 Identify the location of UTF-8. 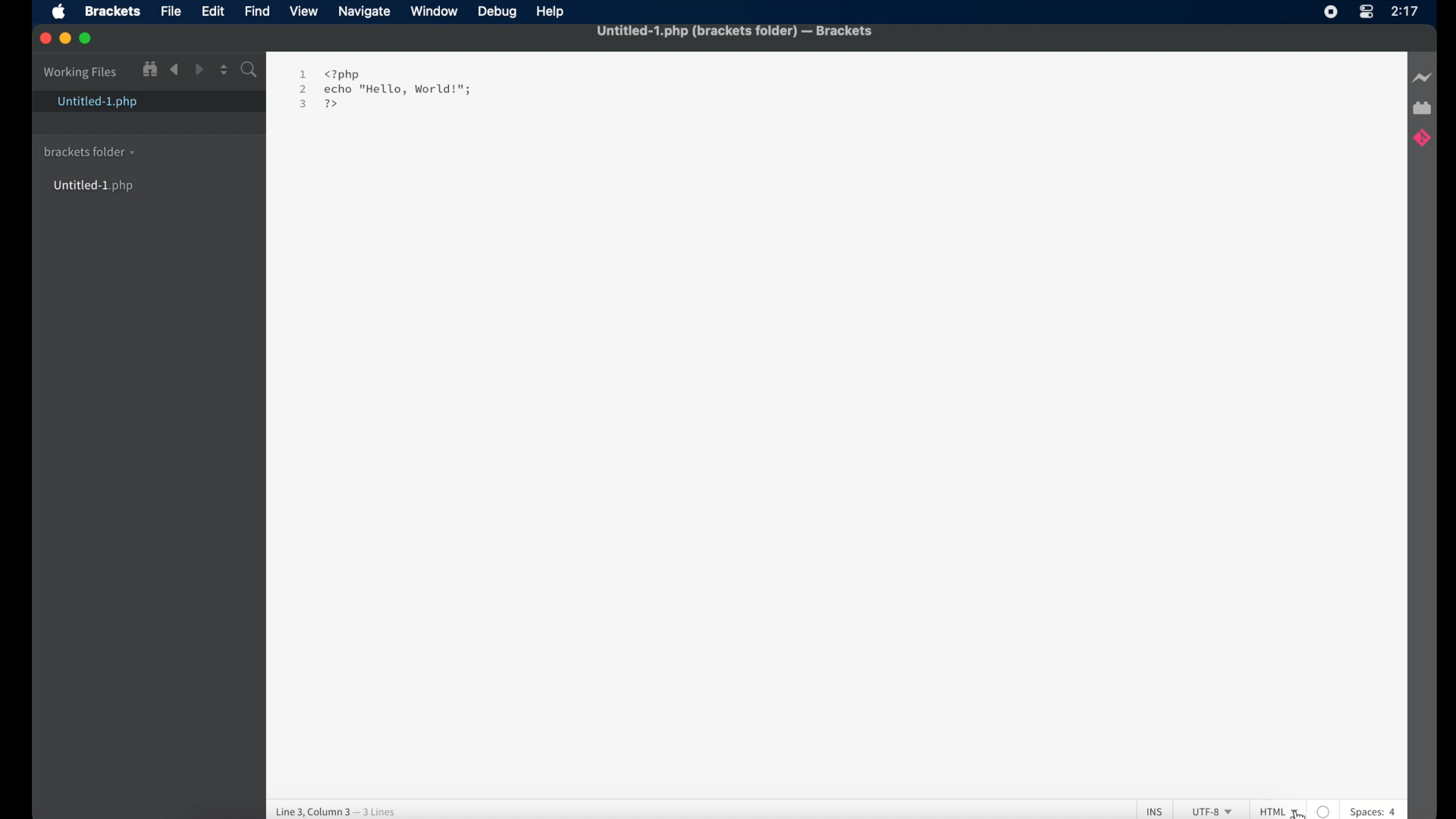
(1211, 811).